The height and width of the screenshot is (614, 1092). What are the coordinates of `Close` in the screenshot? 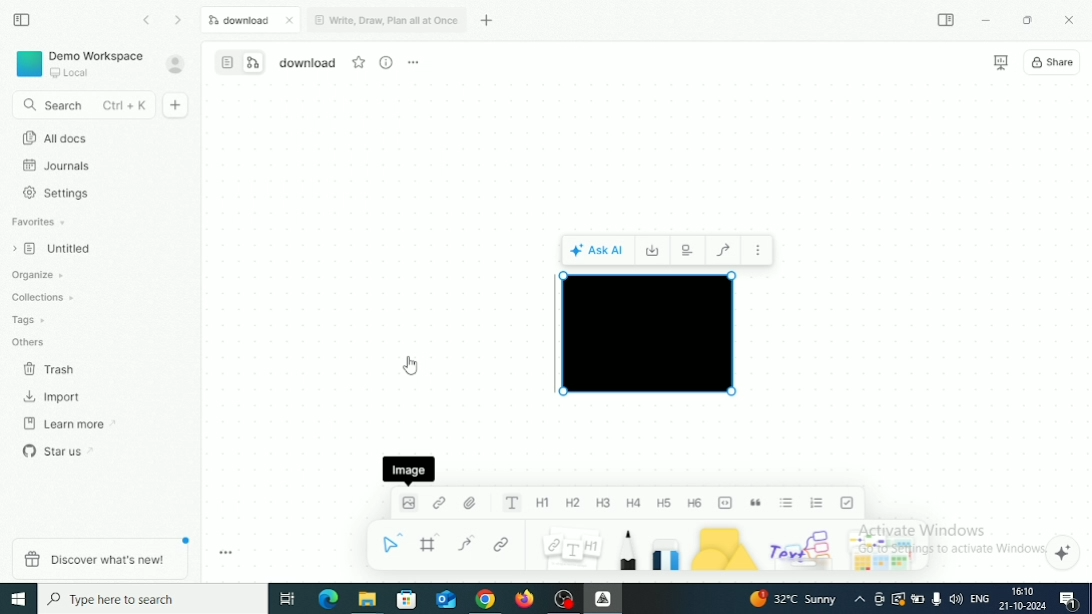 It's located at (1069, 21).